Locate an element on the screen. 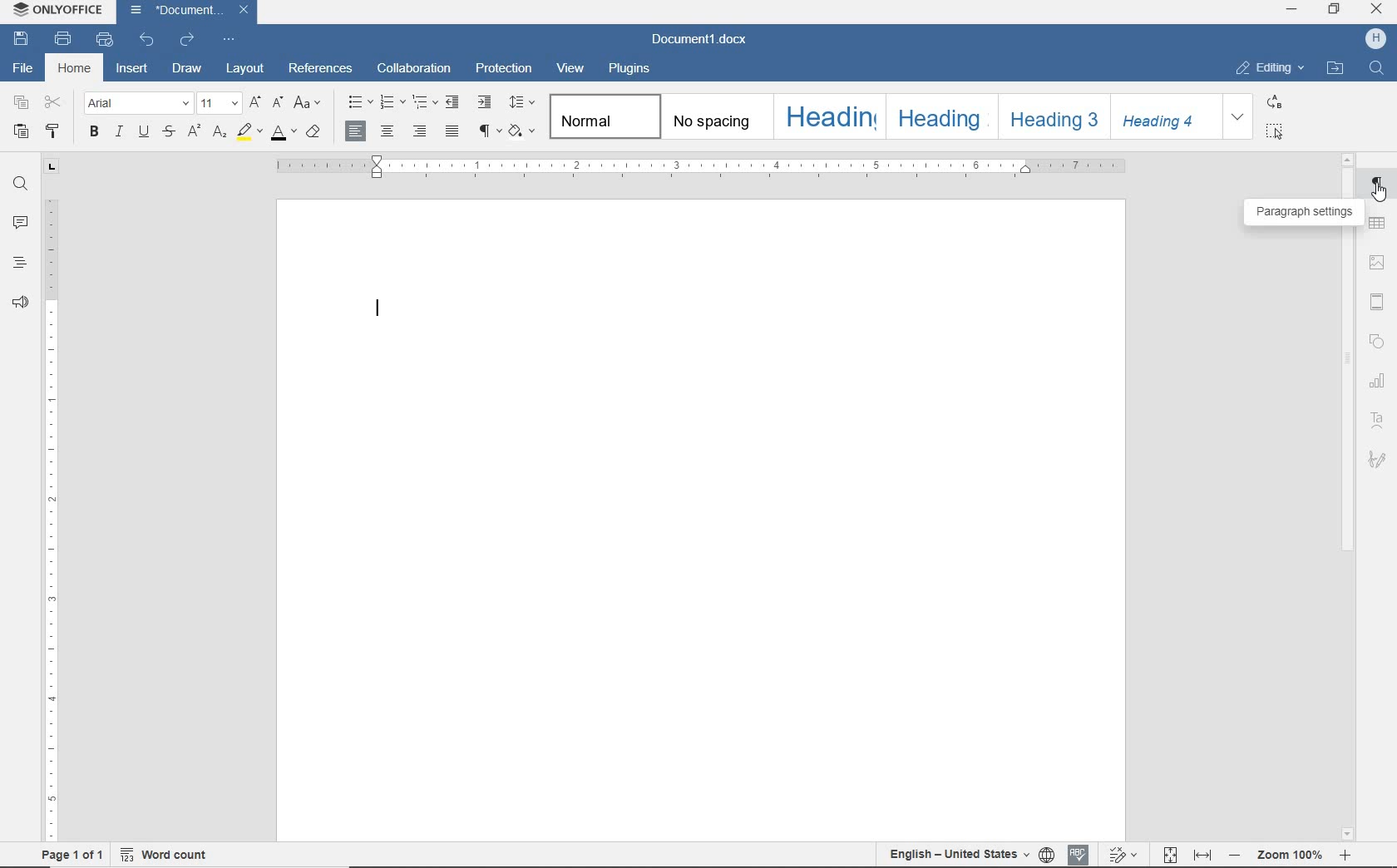  paragraph settings is located at coordinates (1377, 187).